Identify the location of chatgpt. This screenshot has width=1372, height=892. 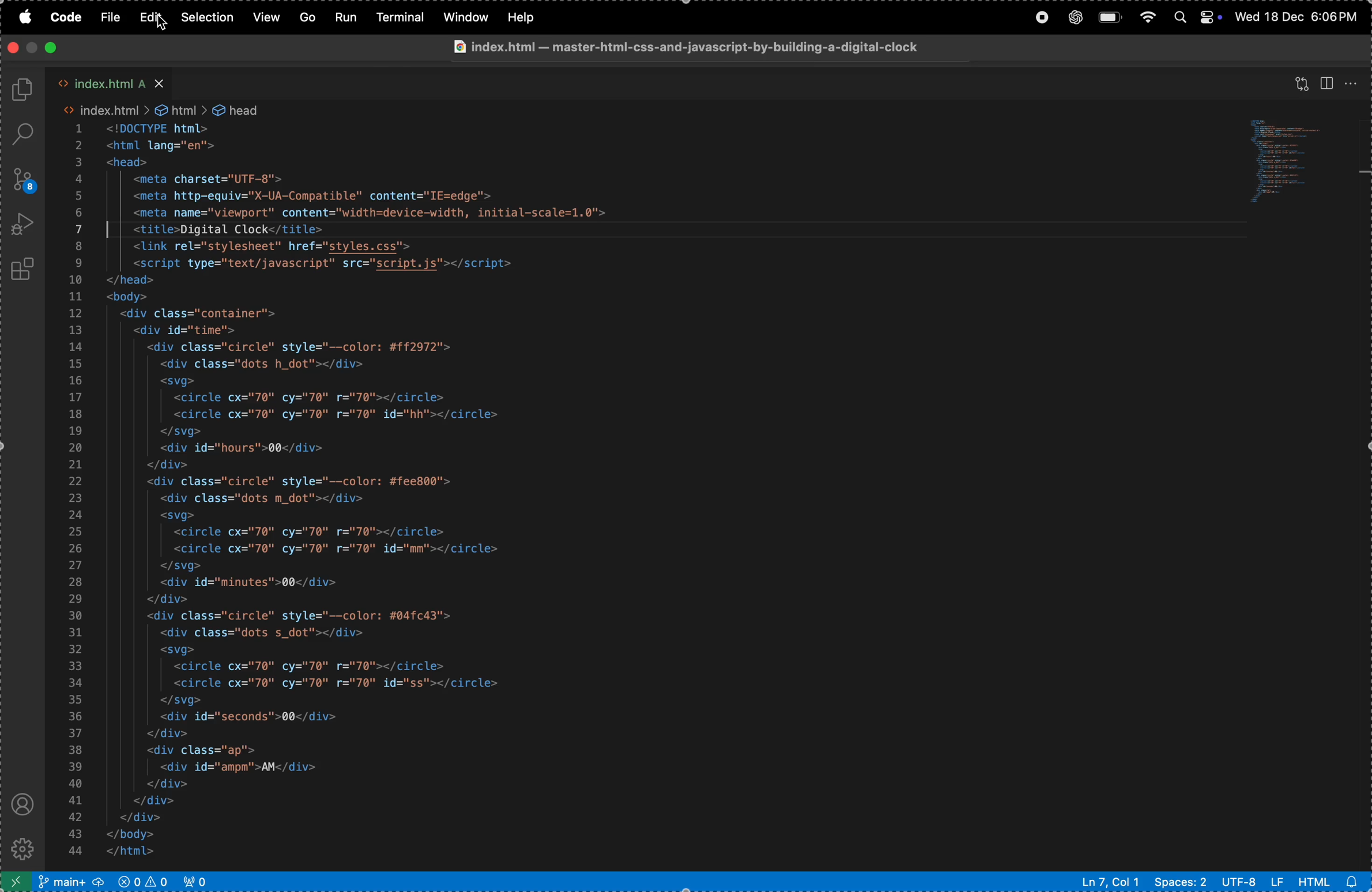
(1074, 17).